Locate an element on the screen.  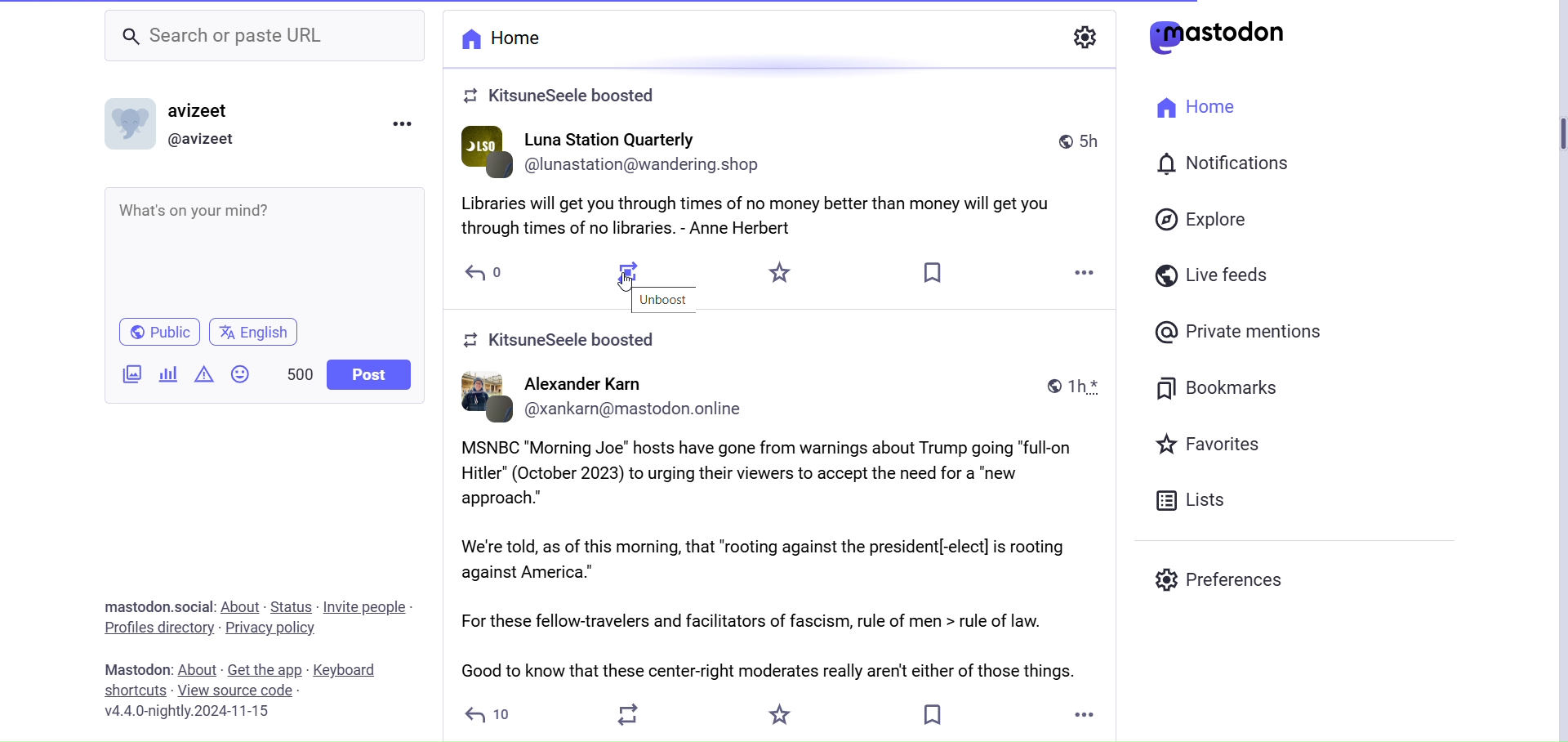
English is located at coordinates (256, 329).